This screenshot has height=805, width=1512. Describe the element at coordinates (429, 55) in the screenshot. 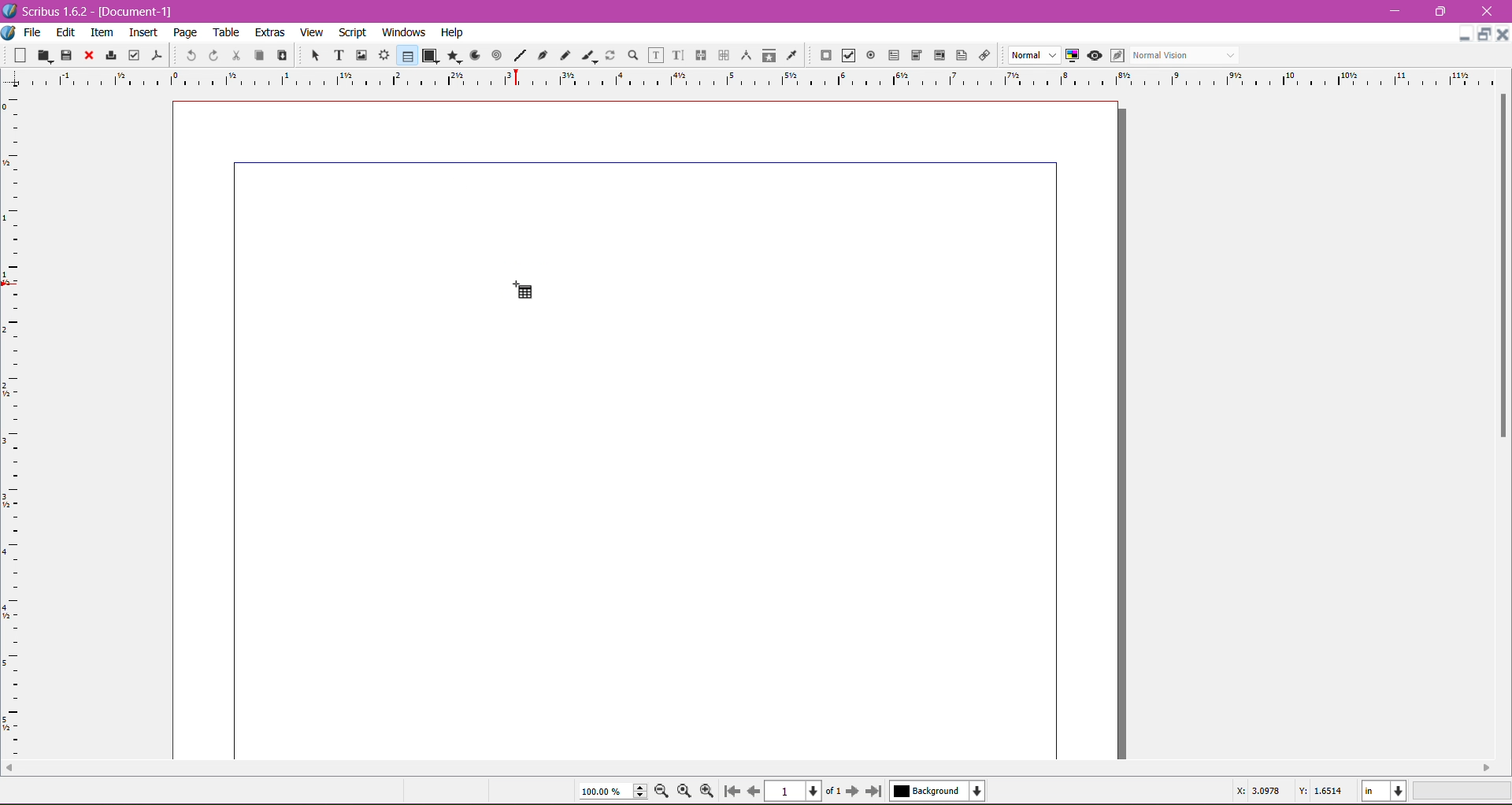

I see `Shapes` at that location.